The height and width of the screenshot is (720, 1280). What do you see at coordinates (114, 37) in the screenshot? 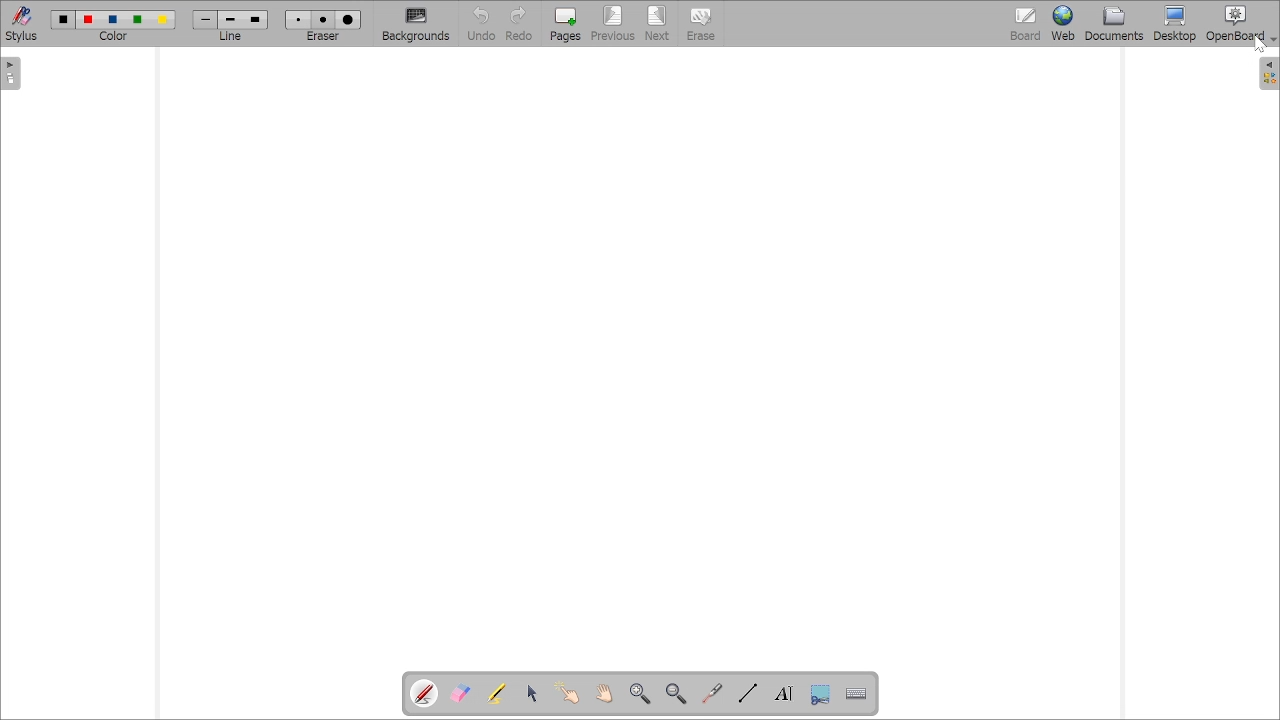
I see `color` at bounding box center [114, 37].